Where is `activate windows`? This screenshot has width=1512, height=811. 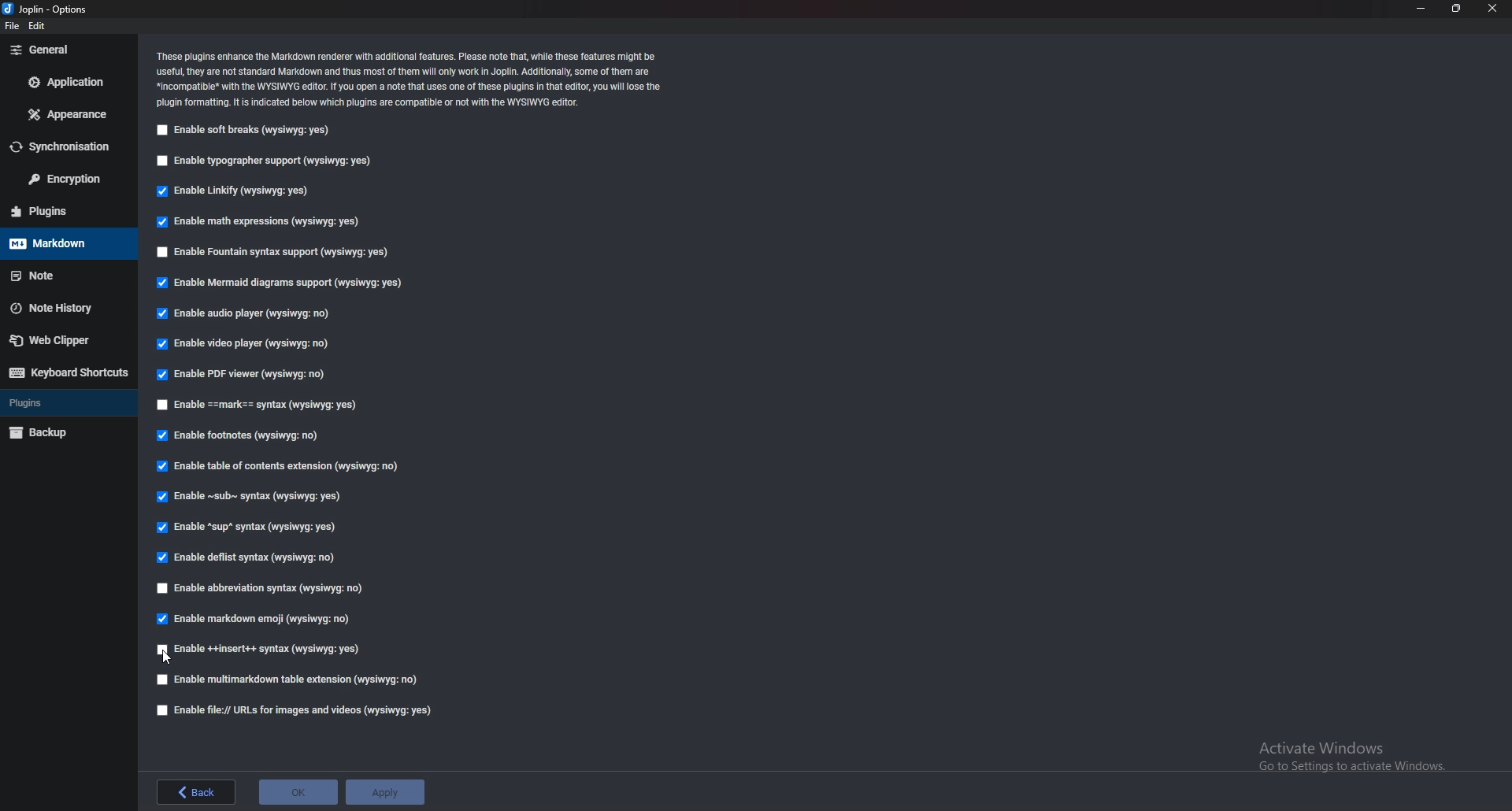 activate windows is located at coordinates (1357, 754).